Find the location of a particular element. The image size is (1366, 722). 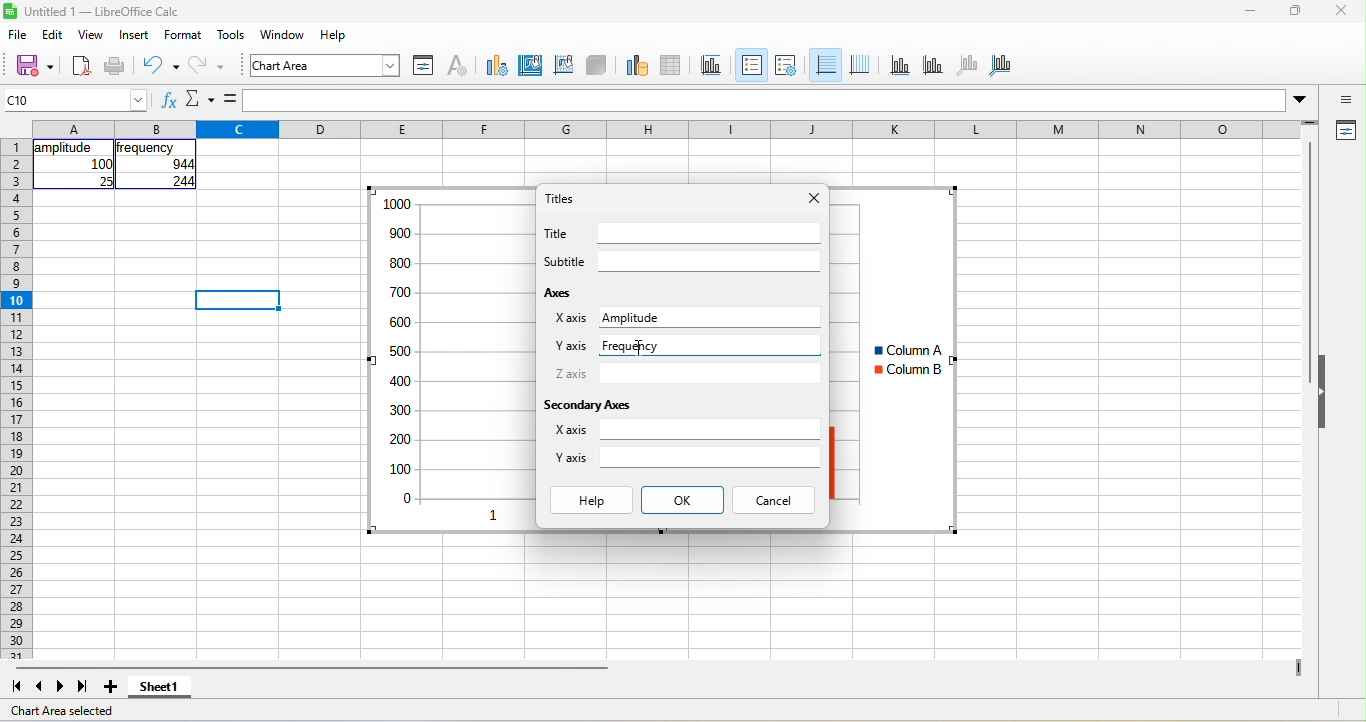

Input for X axis is located at coordinates (742, 316).